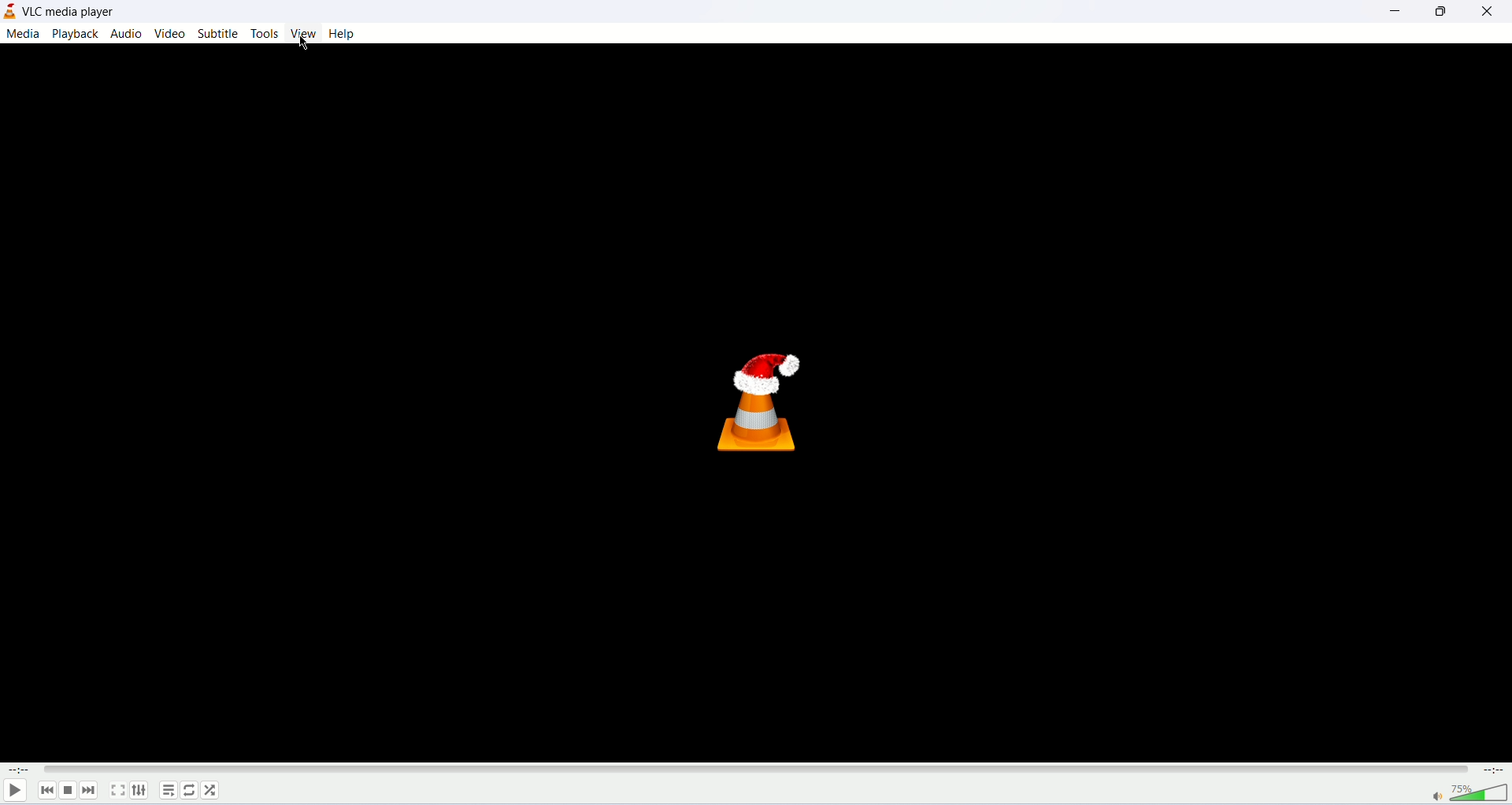  What do you see at coordinates (43, 789) in the screenshot?
I see `previous` at bounding box center [43, 789].